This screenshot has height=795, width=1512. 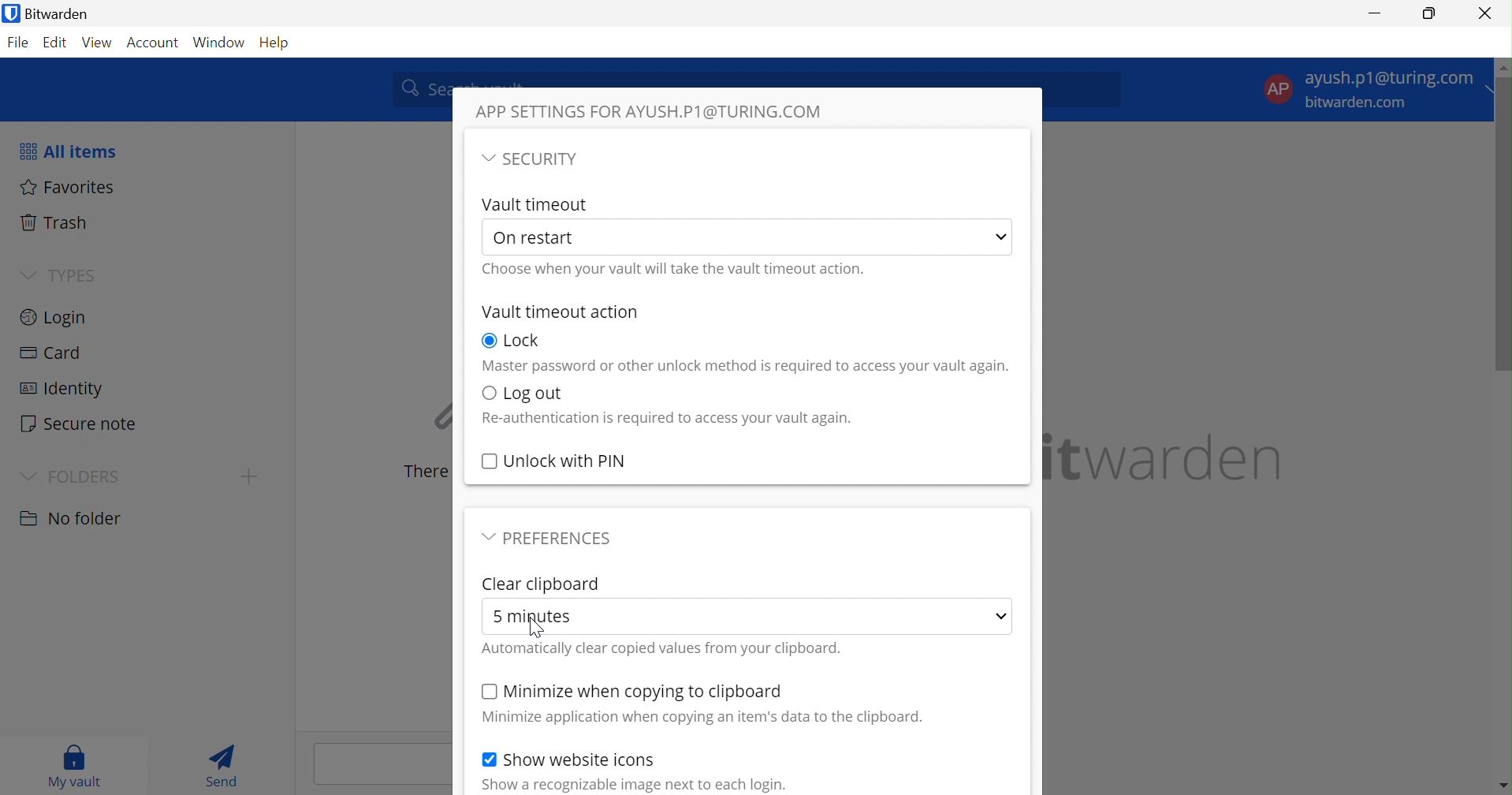 What do you see at coordinates (80, 423) in the screenshot?
I see `Secure note` at bounding box center [80, 423].